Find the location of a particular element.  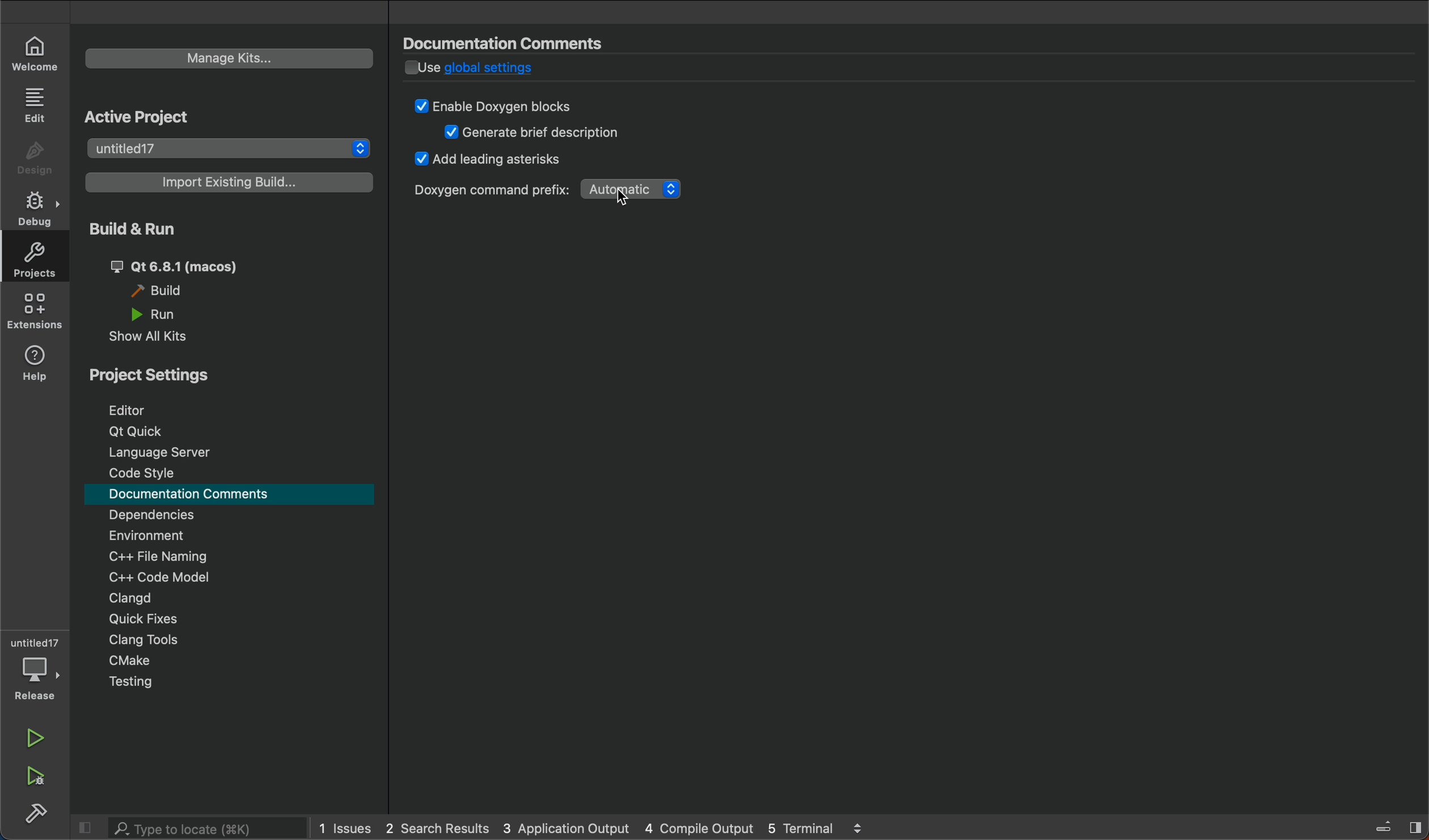

build and run is located at coordinates (231, 231).